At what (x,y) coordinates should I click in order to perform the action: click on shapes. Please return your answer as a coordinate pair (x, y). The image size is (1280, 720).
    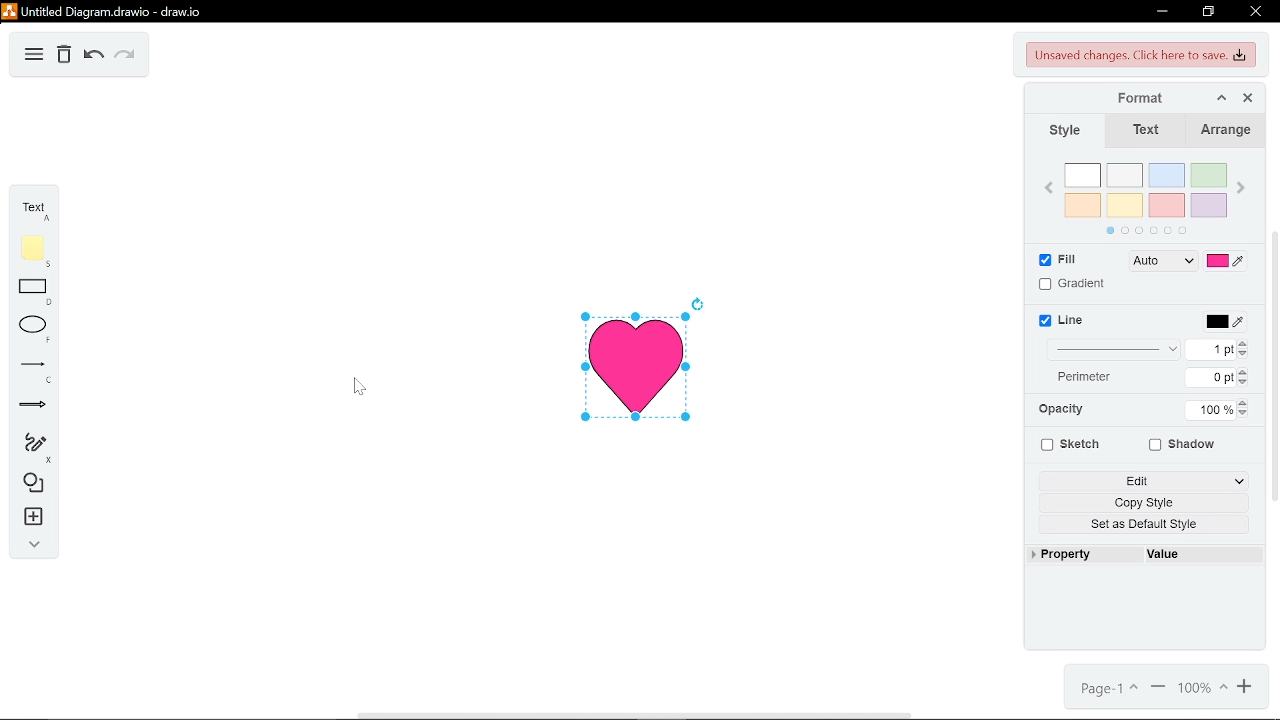
    Looking at the image, I should click on (32, 483).